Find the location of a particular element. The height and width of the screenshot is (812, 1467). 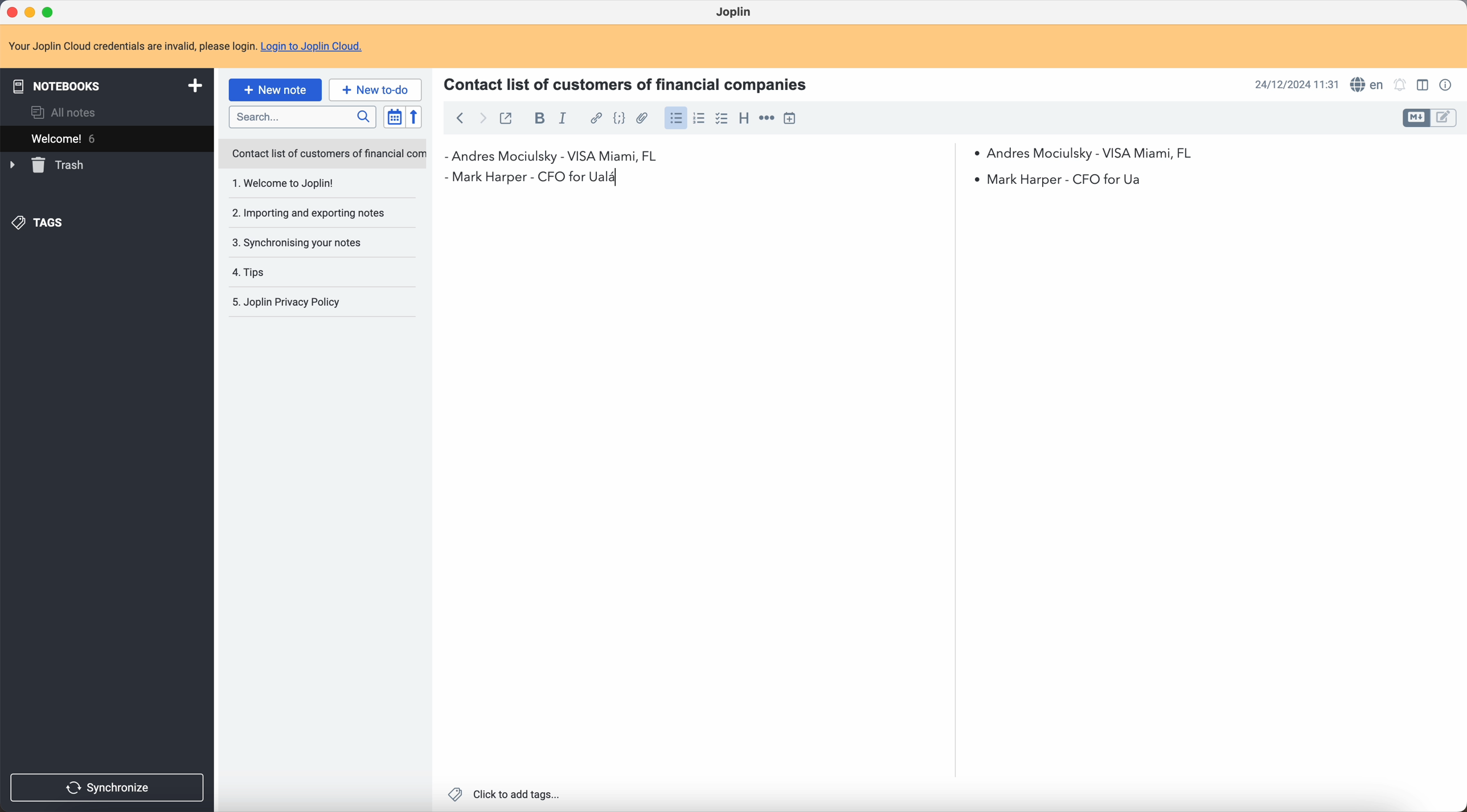

back is located at coordinates (460, 117).